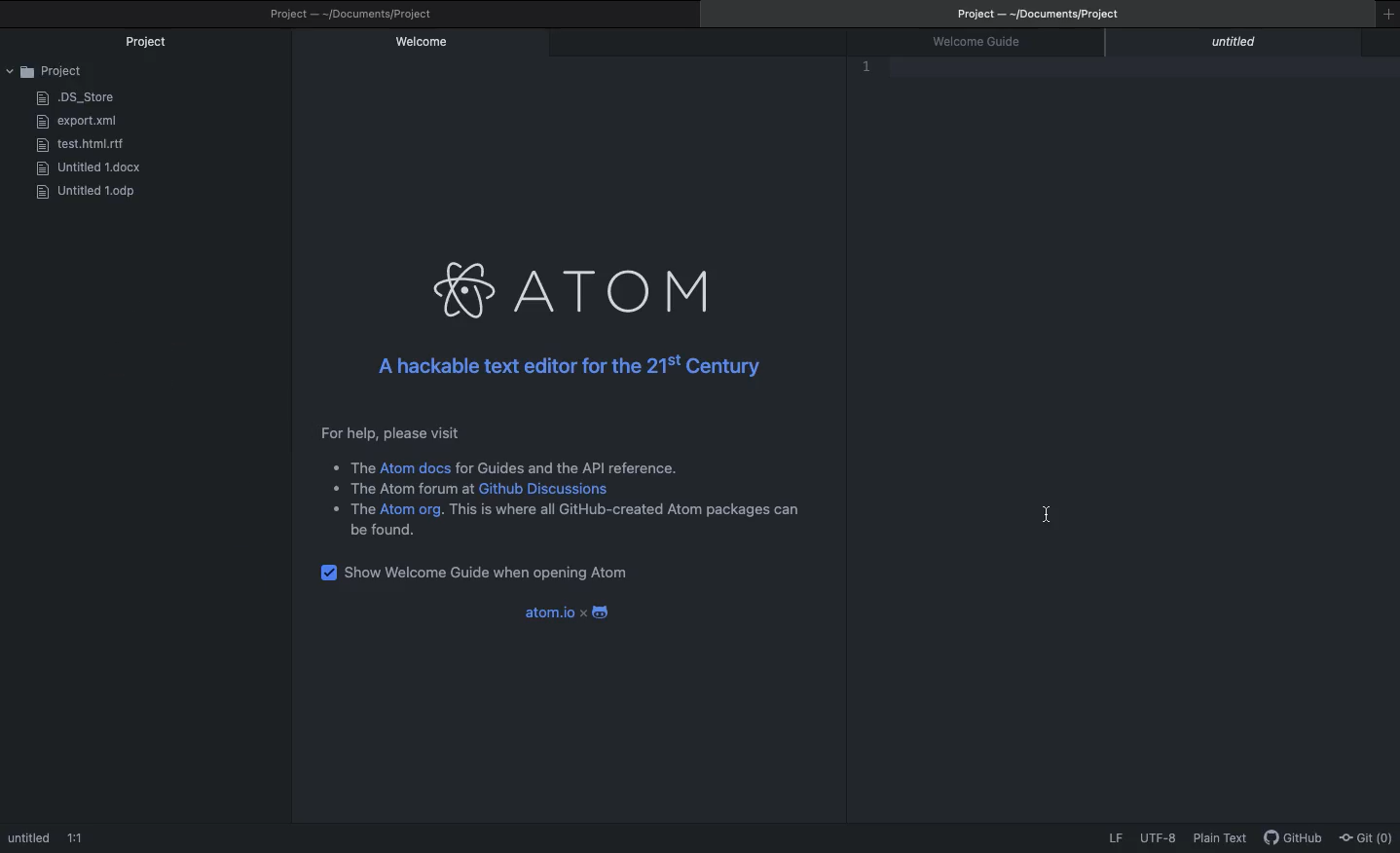  What do you see at coordinates (1117, 834) in the screenshot?
I see `LF` at bounding box center [1117, 834].